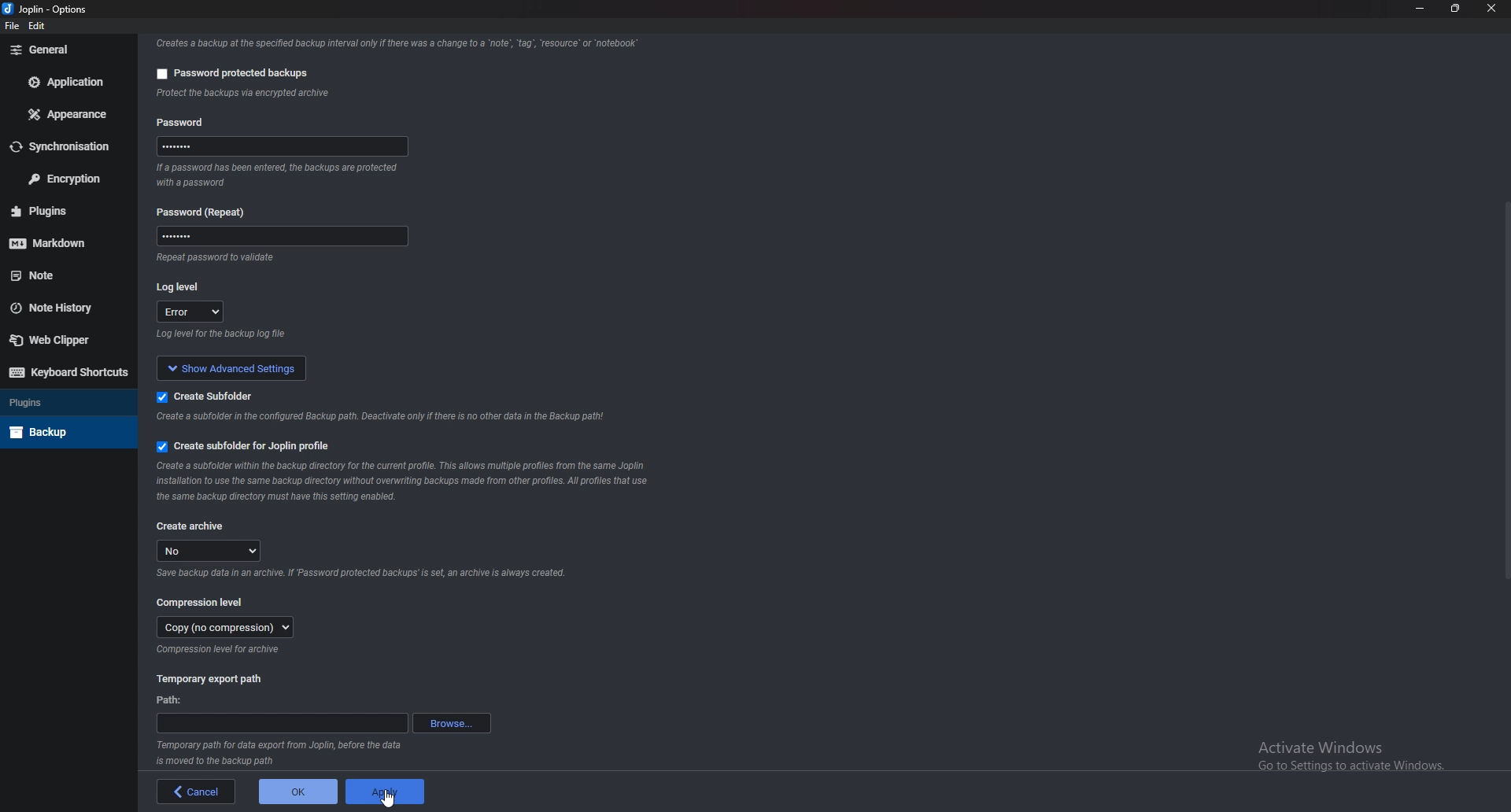 The width and height of the screenshot is (1511, 812). What do you see at coordinates (384, 418) in the screenshot?
I see `info` at bounding box center [384, 418].